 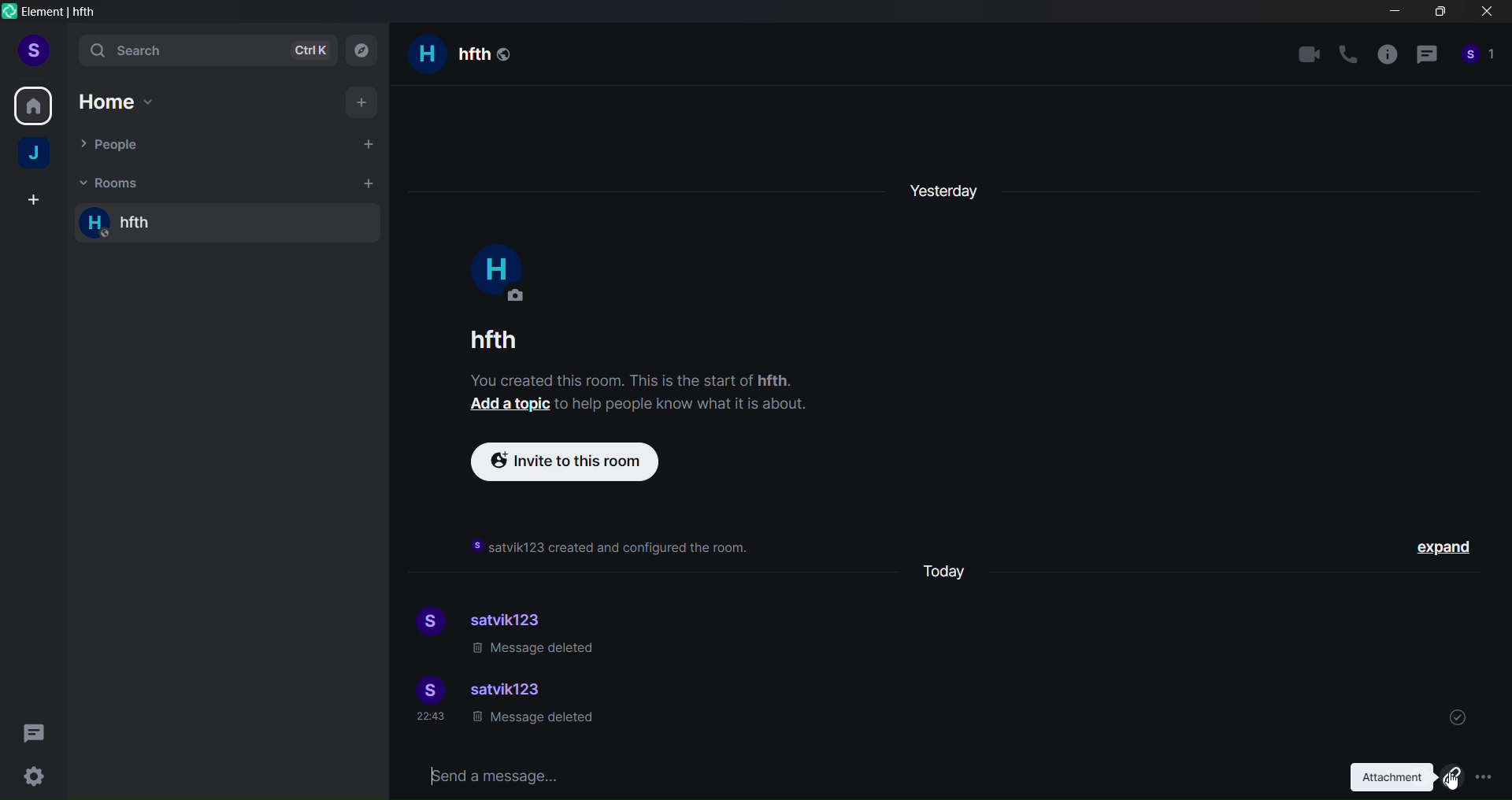 I want to click on display picture, so click(x=426, y=690).